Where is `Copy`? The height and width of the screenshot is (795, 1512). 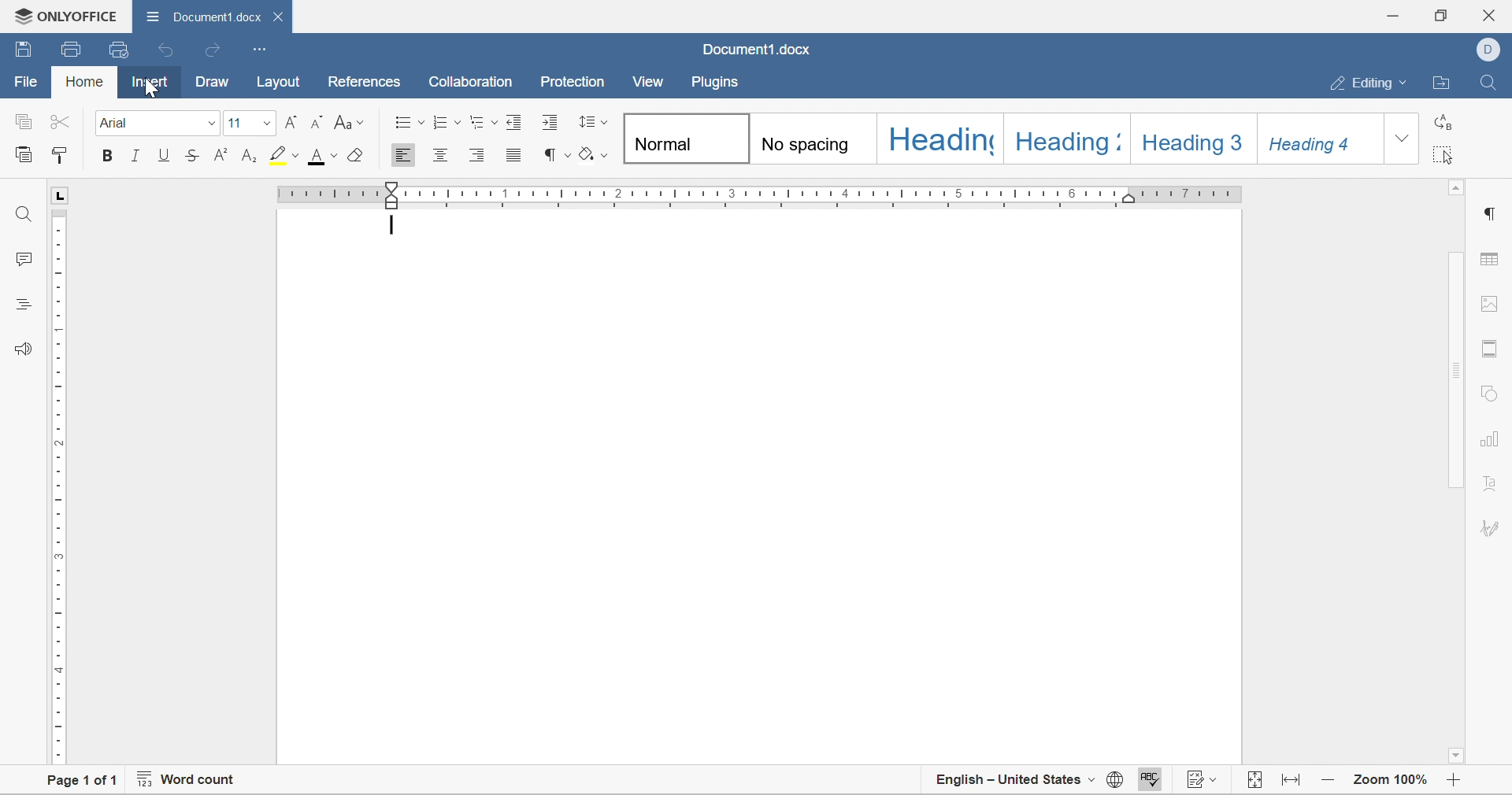 Copy is located at coordinates (23, 120).